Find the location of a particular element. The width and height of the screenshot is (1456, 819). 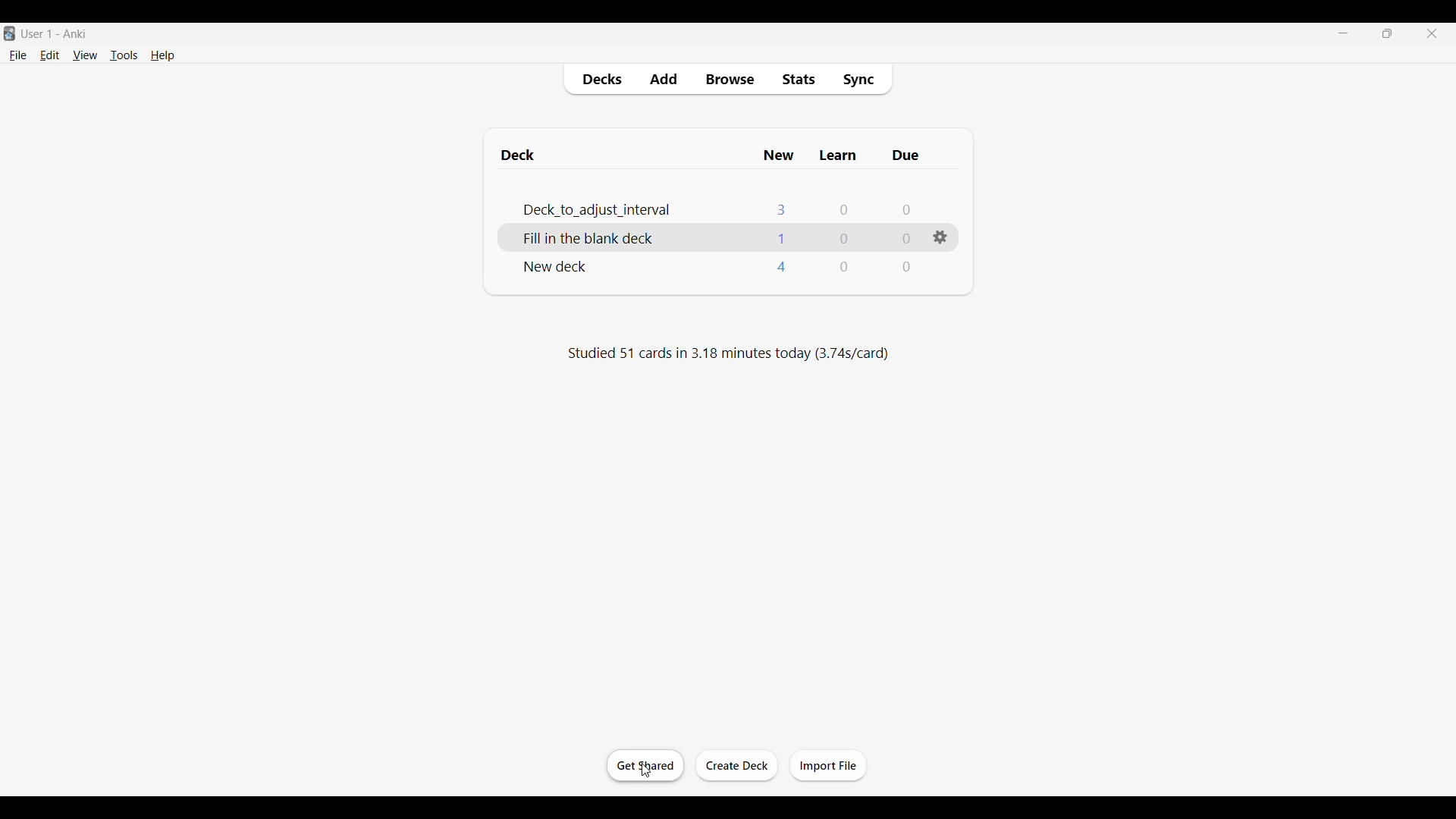

3 is located at coordinates (782, 209).